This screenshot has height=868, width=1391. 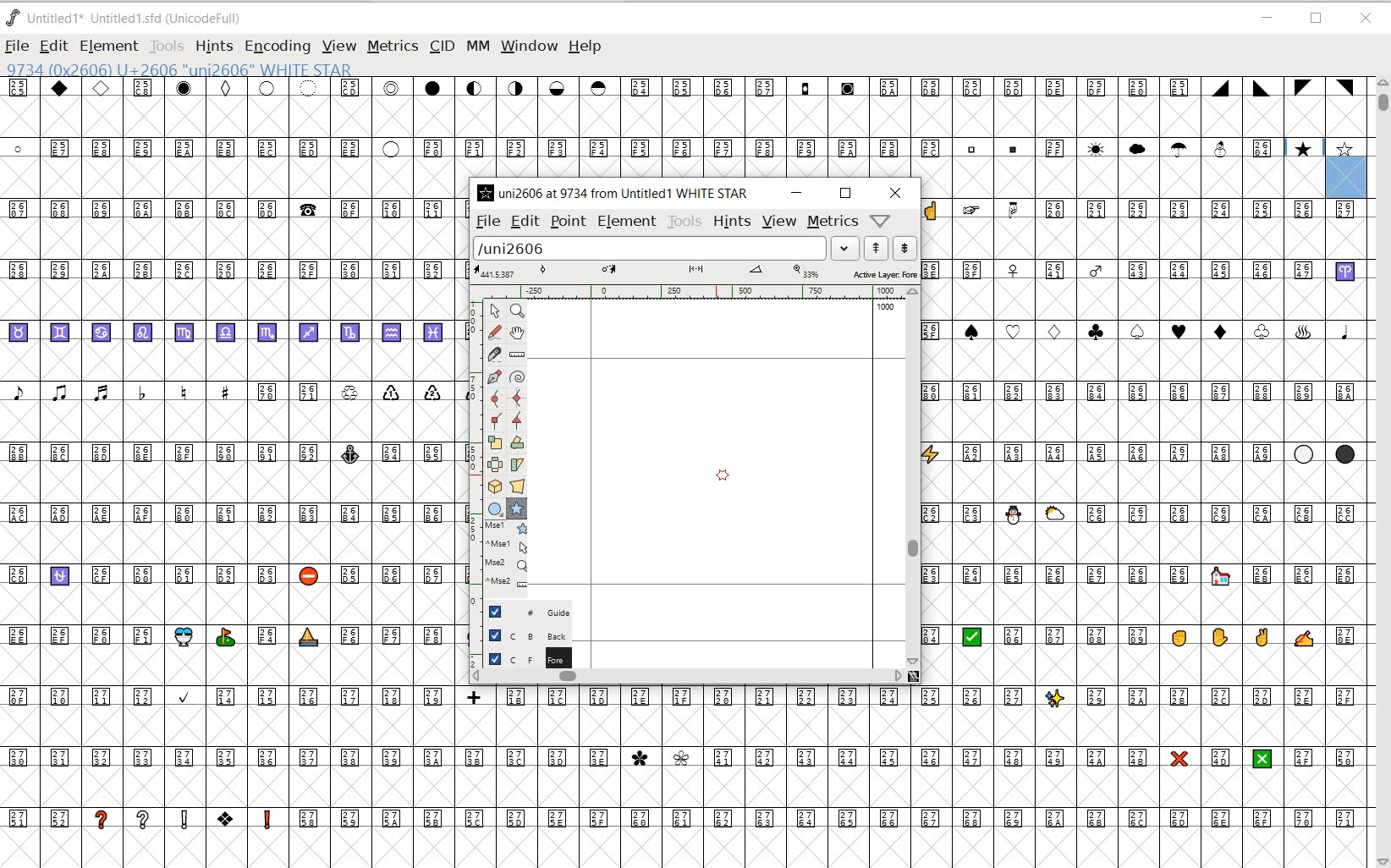 What do you see at coordinates (476, 45) in the screenshot?
I see `MM` at bounding box center [476, 45].